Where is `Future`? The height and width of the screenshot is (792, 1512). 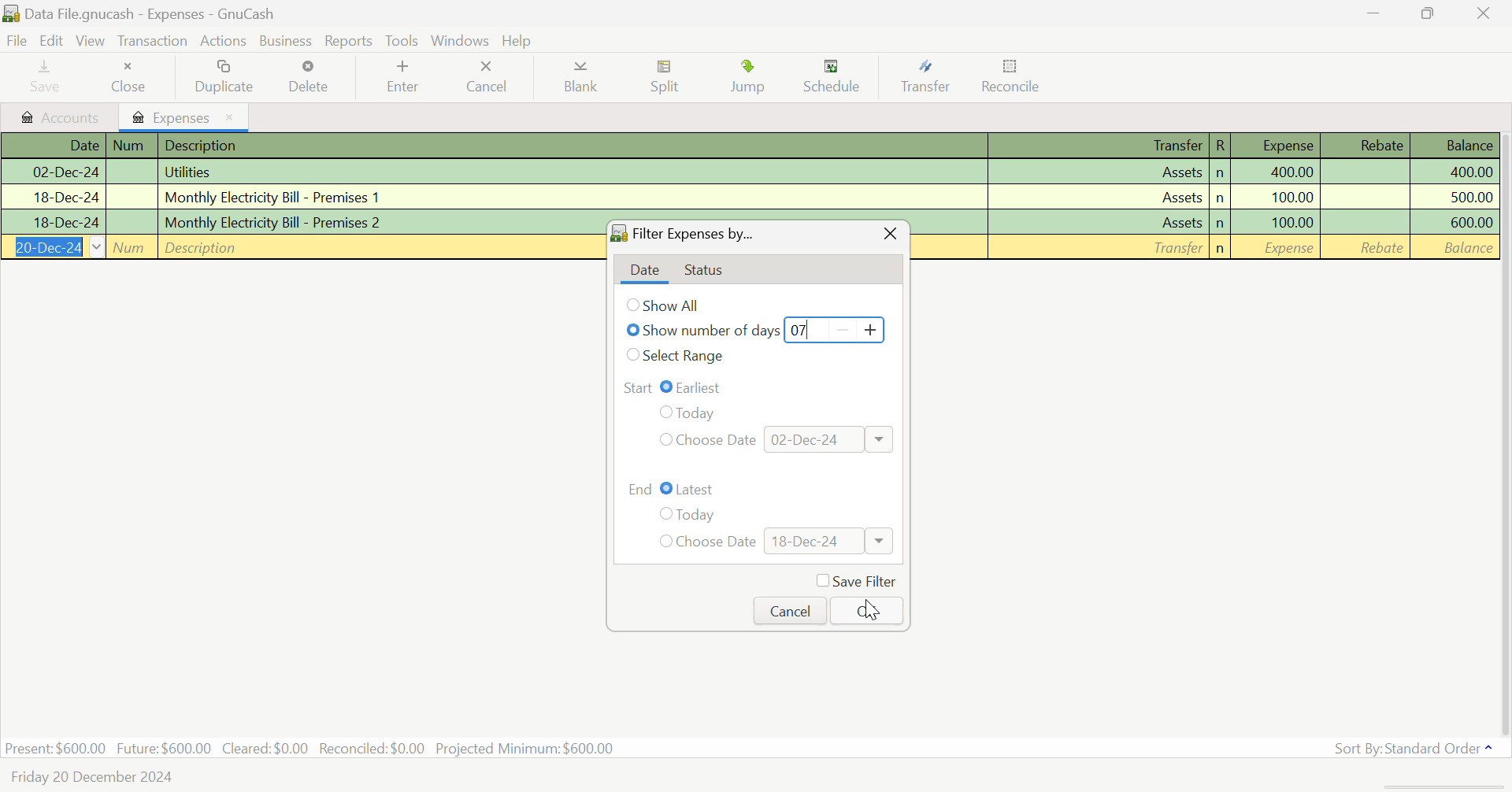
Future is located at coordinates (164, 748).